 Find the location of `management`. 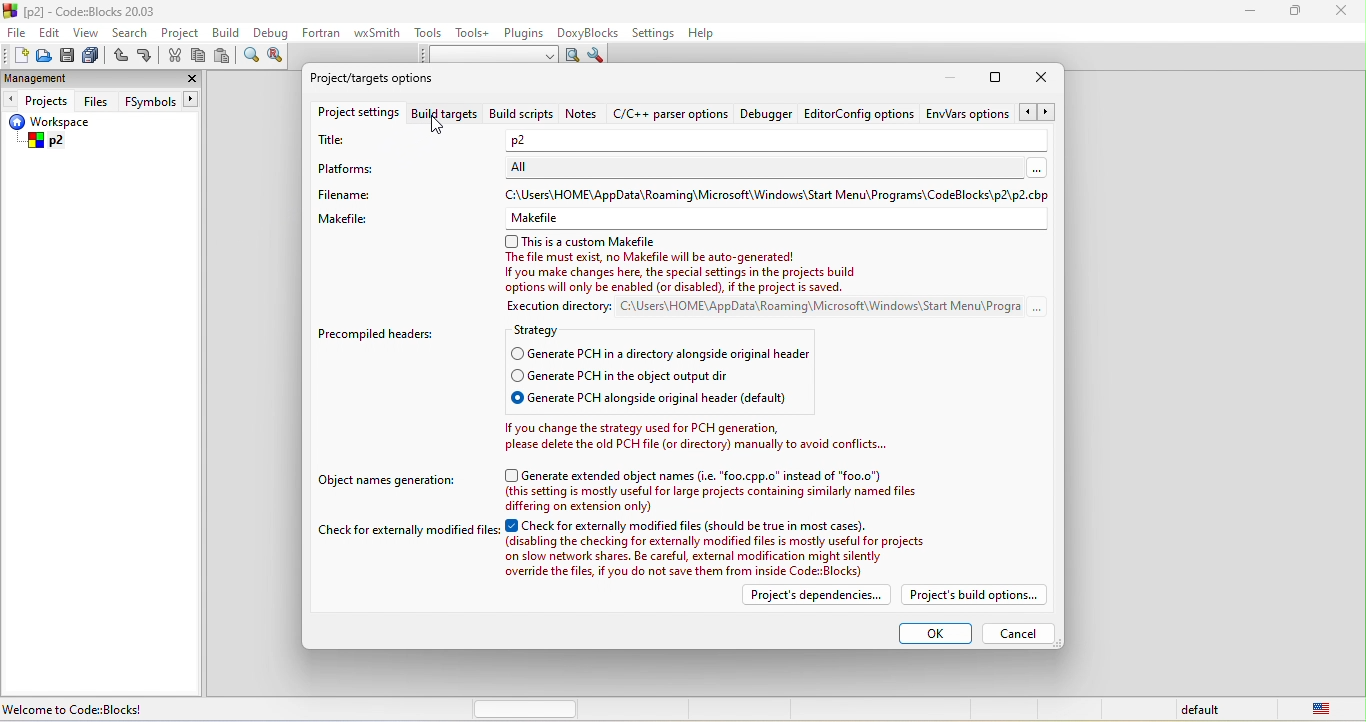

management is located at coordinates (36, 78).